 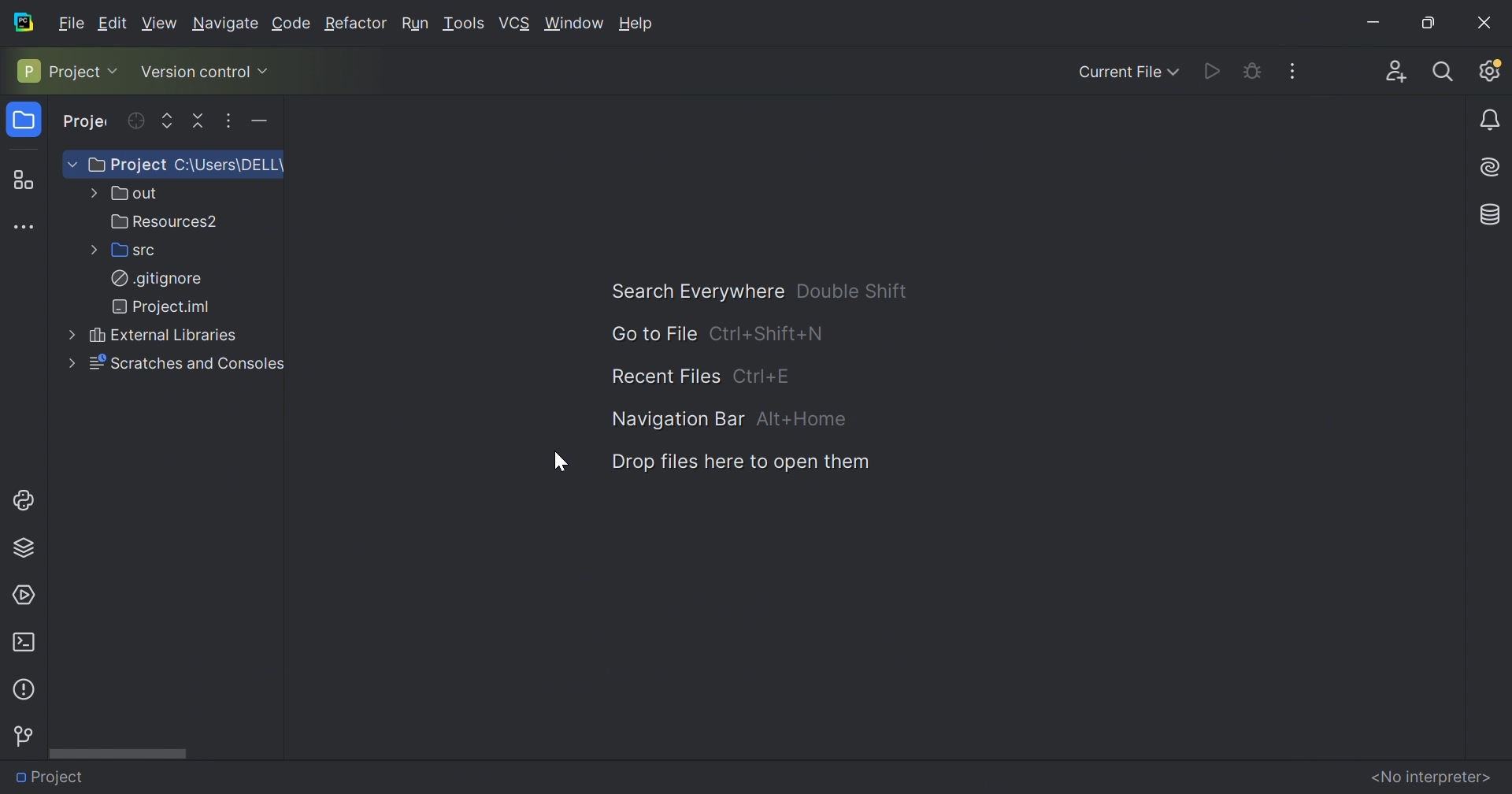 I want to click on Code, so click(x=289, y=23).